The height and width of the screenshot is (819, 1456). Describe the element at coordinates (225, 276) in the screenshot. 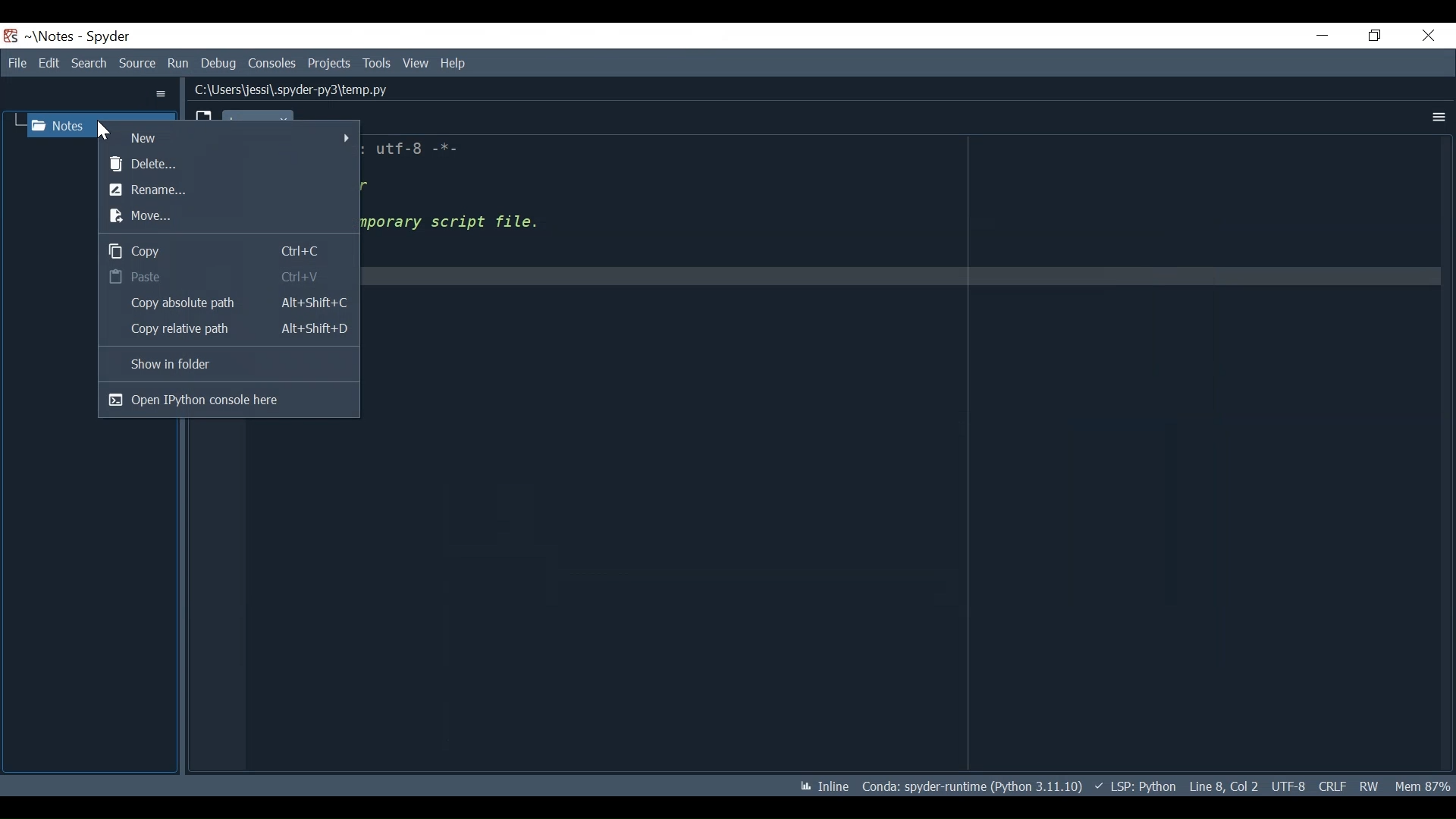

I see `Paste` at that location.